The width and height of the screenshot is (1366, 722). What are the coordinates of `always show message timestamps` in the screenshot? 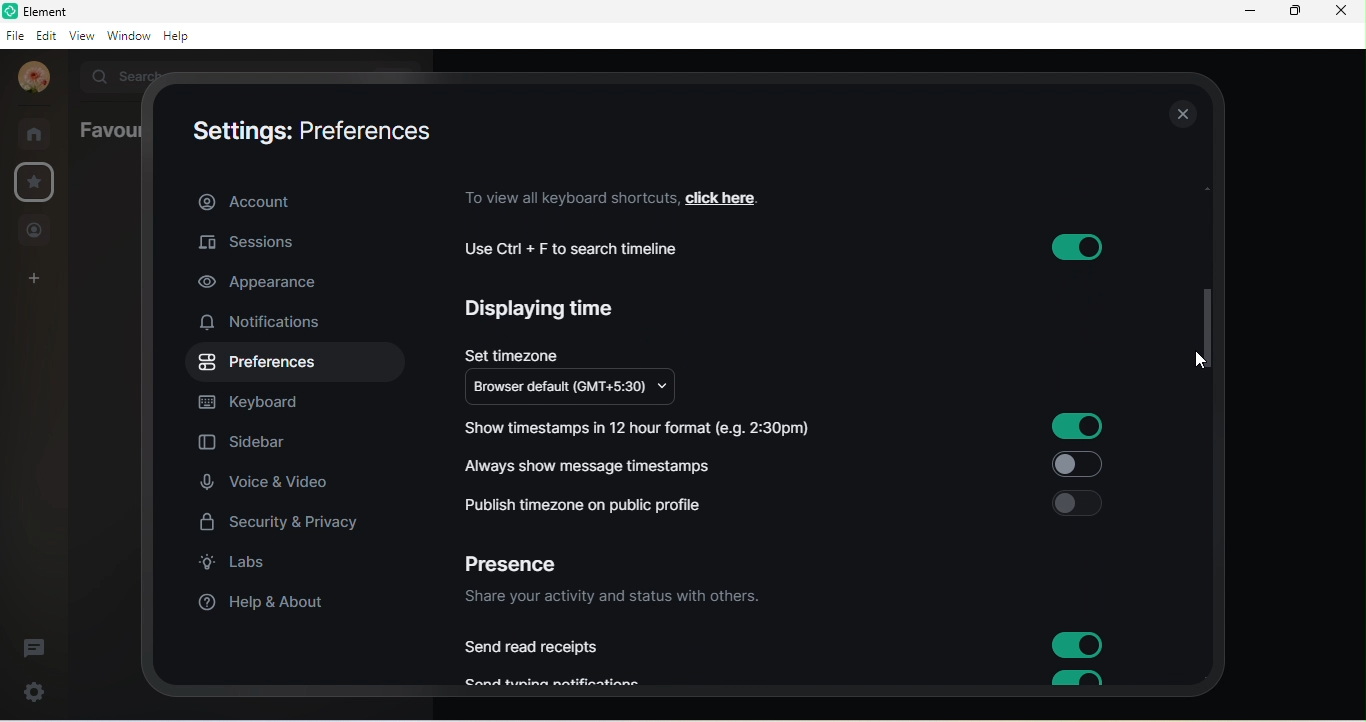 It's located at (595, 464).